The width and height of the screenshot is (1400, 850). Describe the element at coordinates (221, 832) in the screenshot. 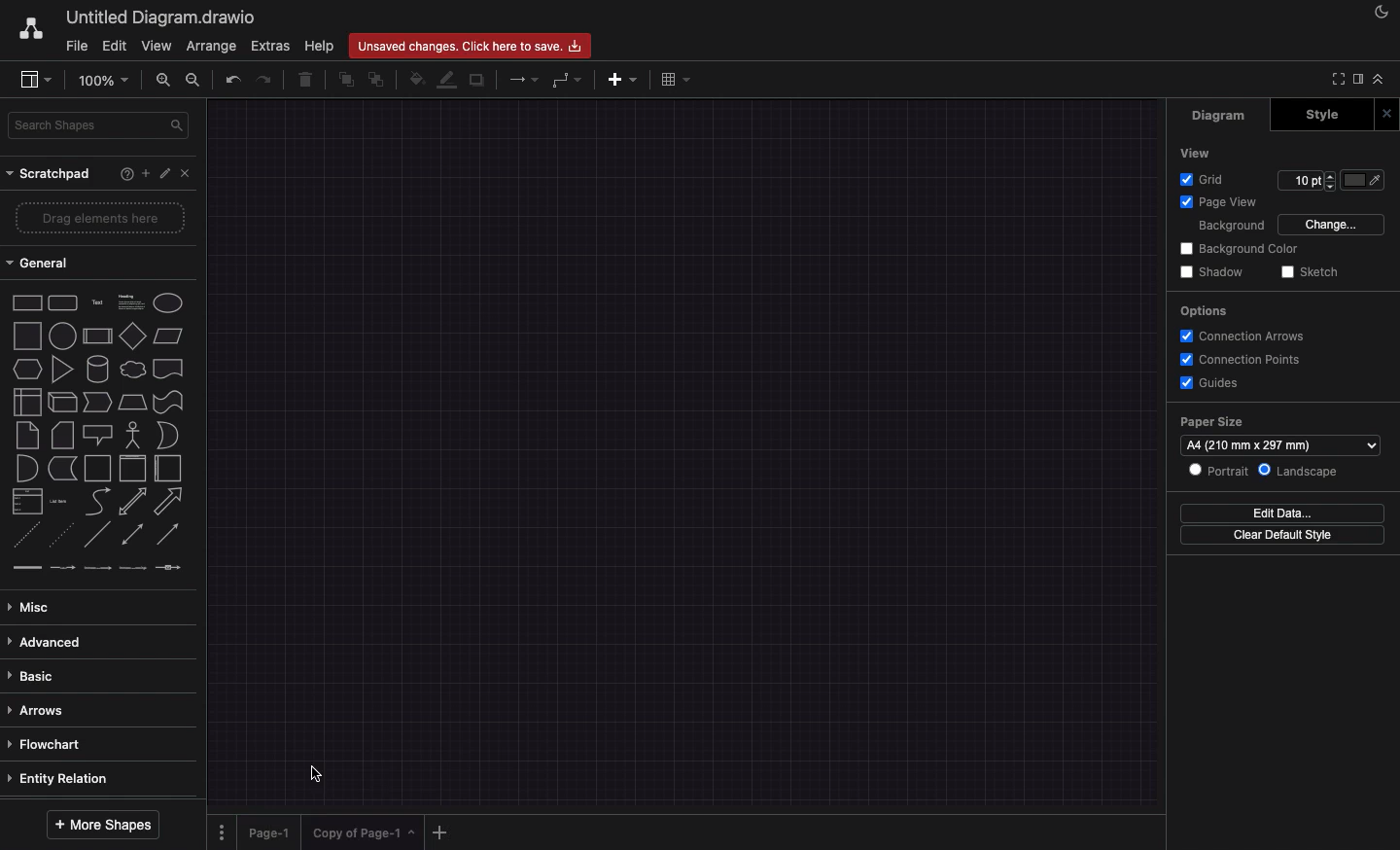

I see `options` at that location.